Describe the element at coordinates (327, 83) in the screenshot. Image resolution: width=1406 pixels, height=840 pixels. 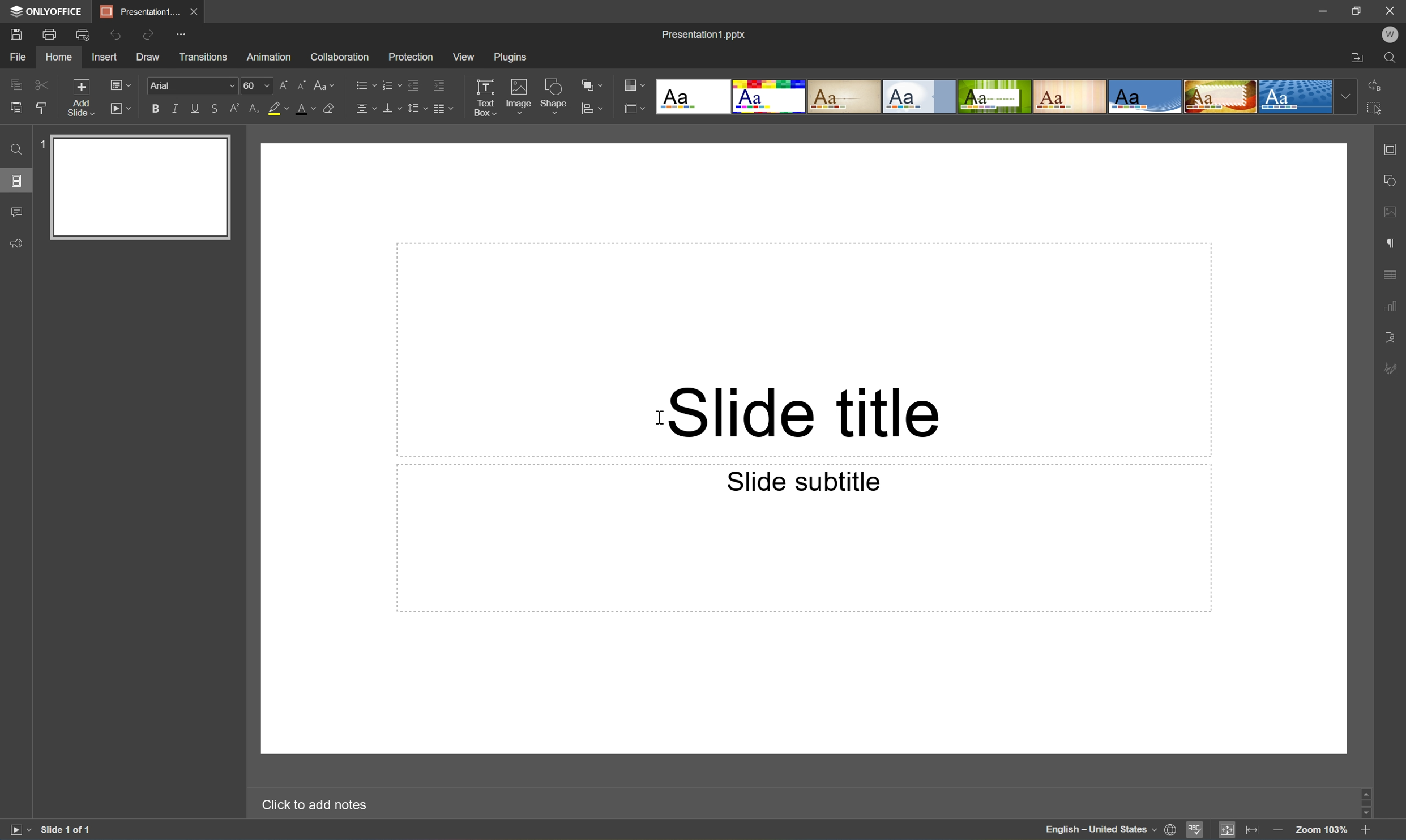
I see `Change case` at that location.